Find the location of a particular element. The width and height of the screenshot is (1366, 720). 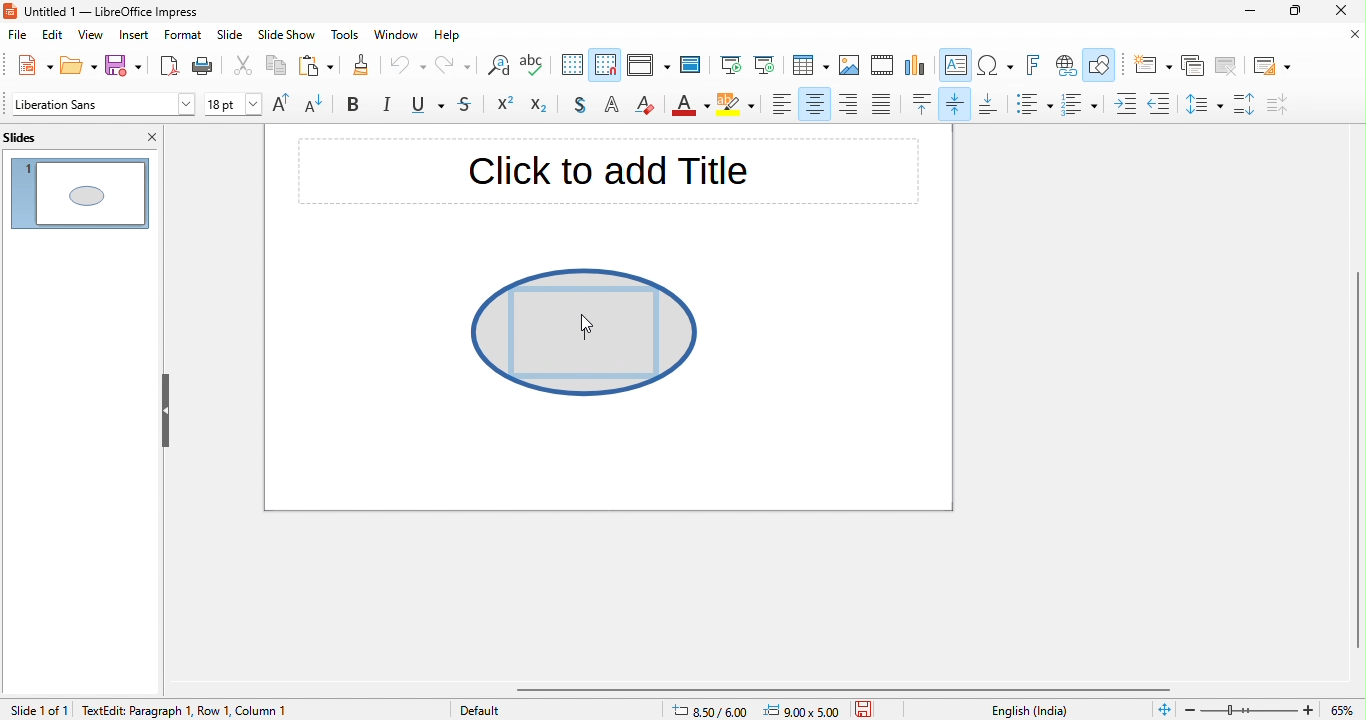

maximize is located at coordinates (1293, 13).